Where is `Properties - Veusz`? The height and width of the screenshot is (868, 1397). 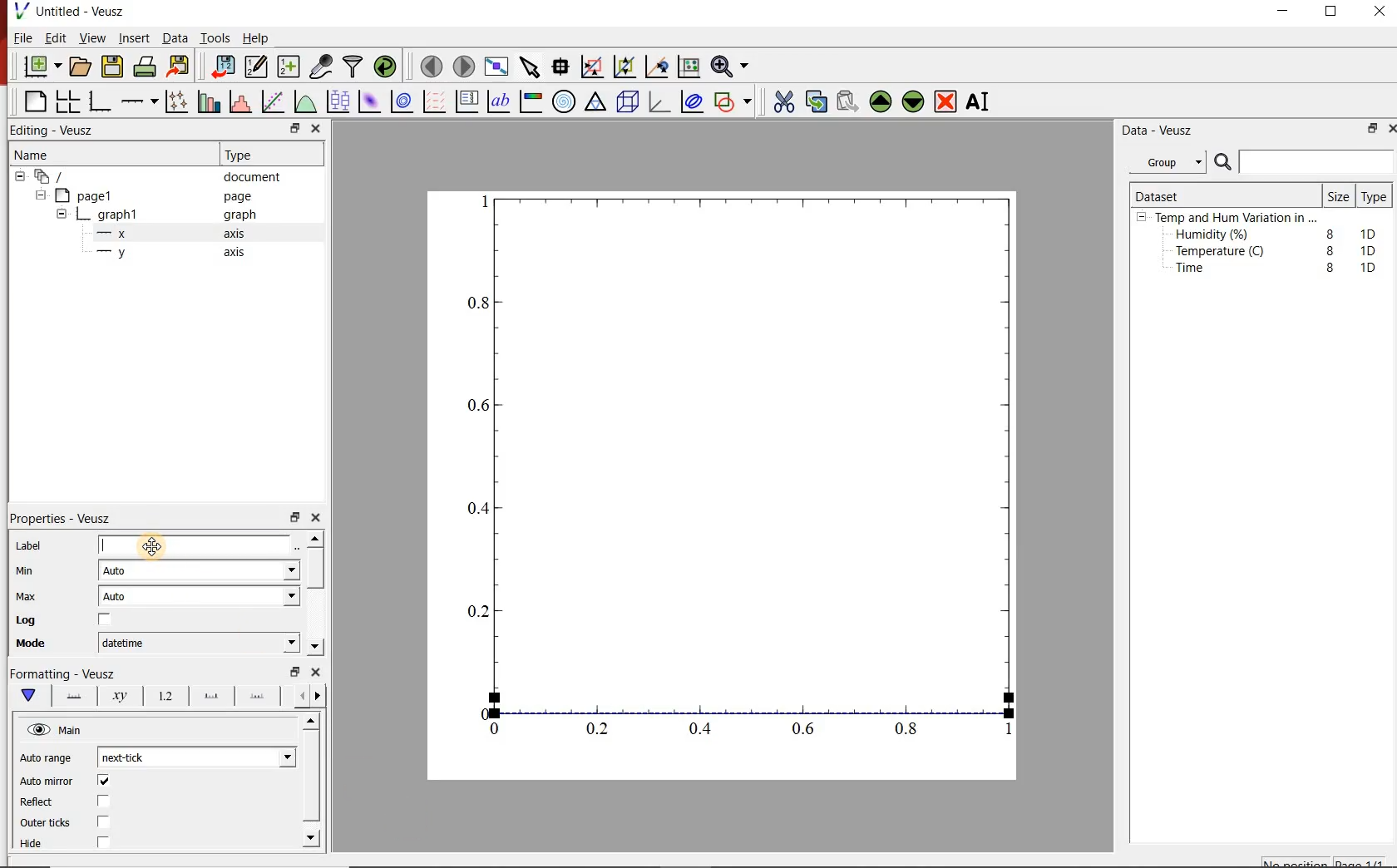
Properties - Veusz is located at coordinates (69, 515).